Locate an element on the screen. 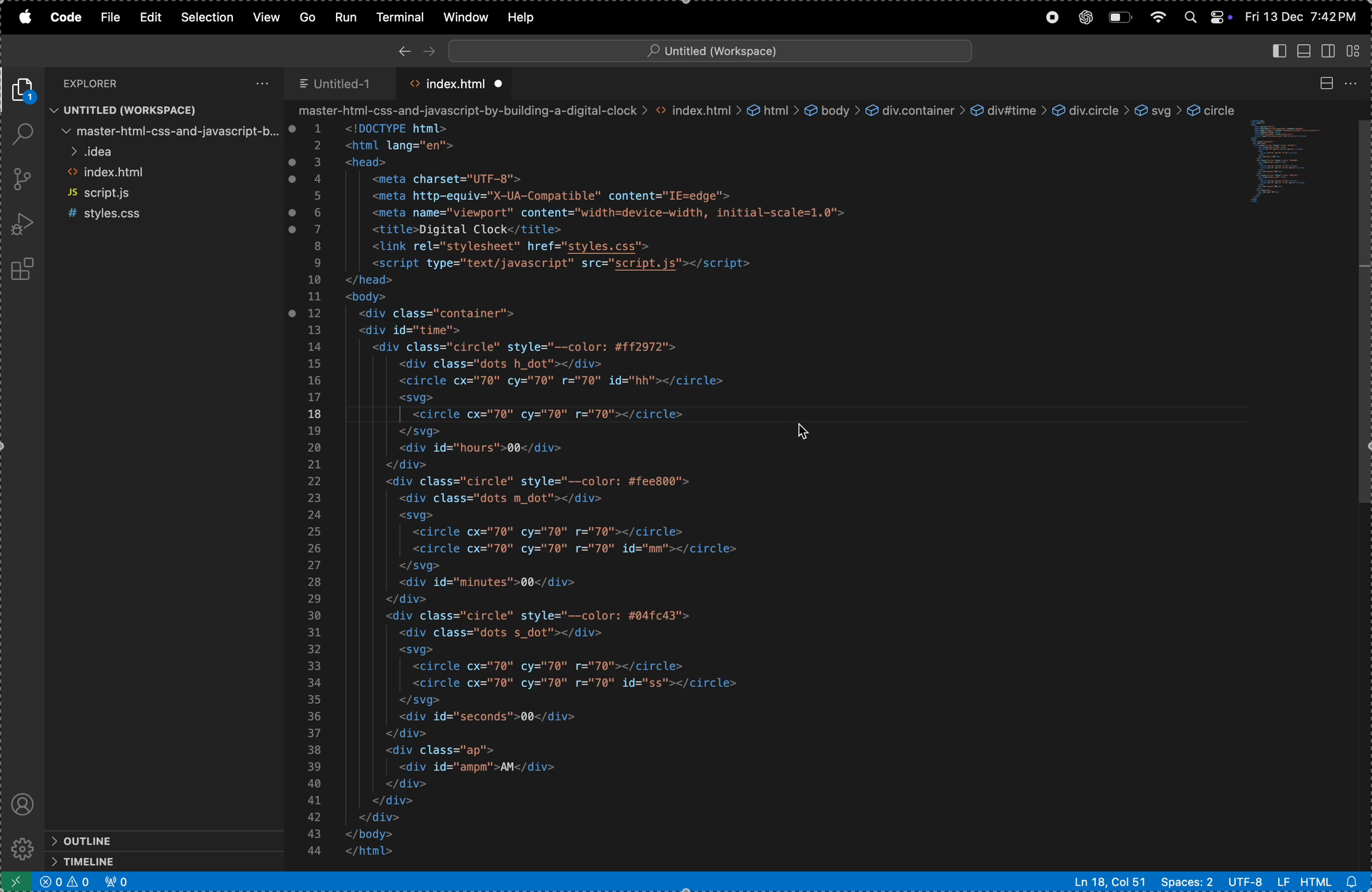 Image resolution: width=1372 pixels, height=892 pixels. utf 8 is located at coordinates (1257, 881).